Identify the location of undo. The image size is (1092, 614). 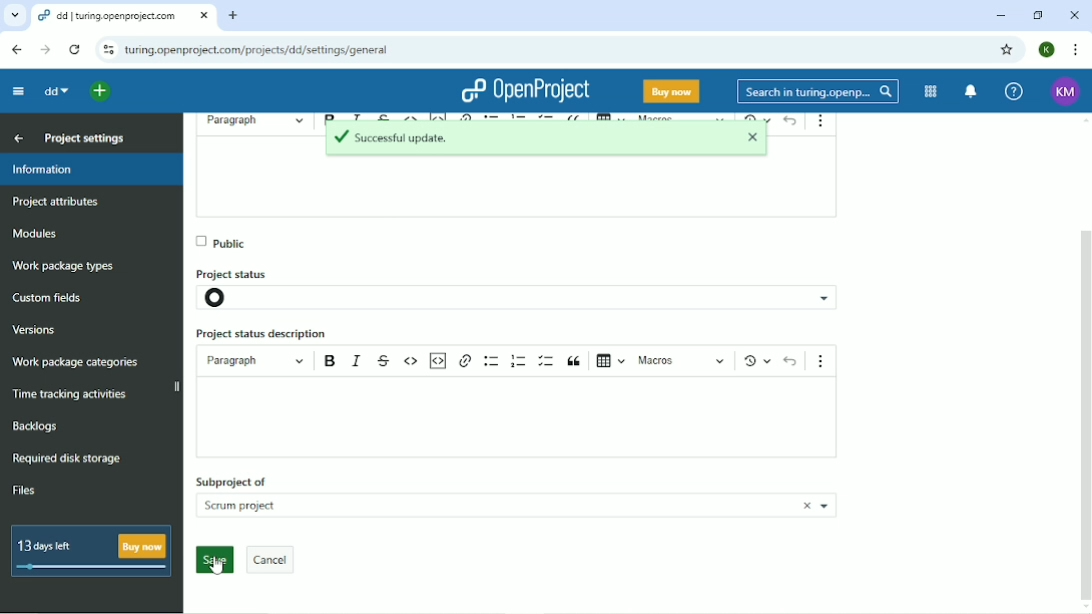
(794, 124).